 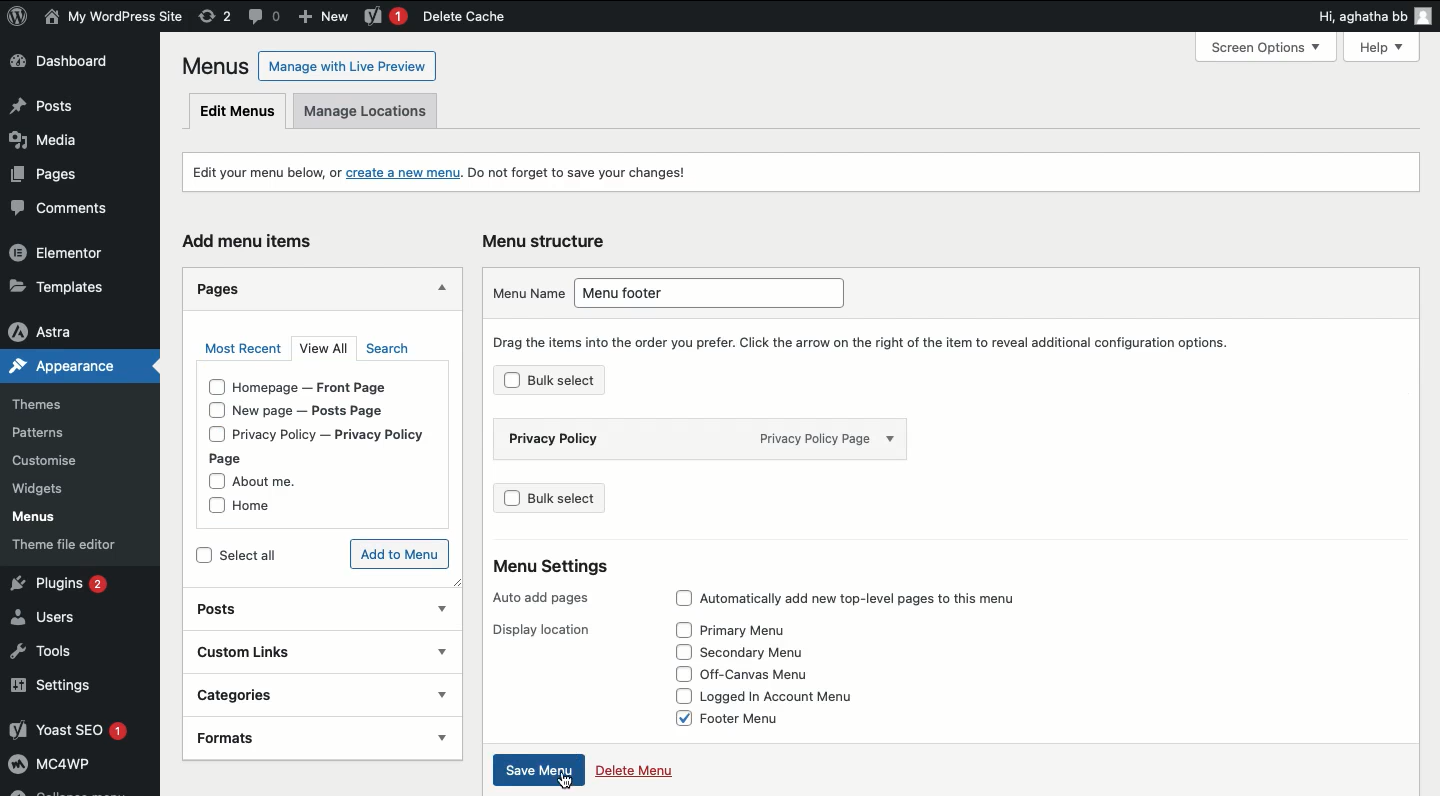 I want to click on  Off-Canvas Menu, so click(x=777, y=673).